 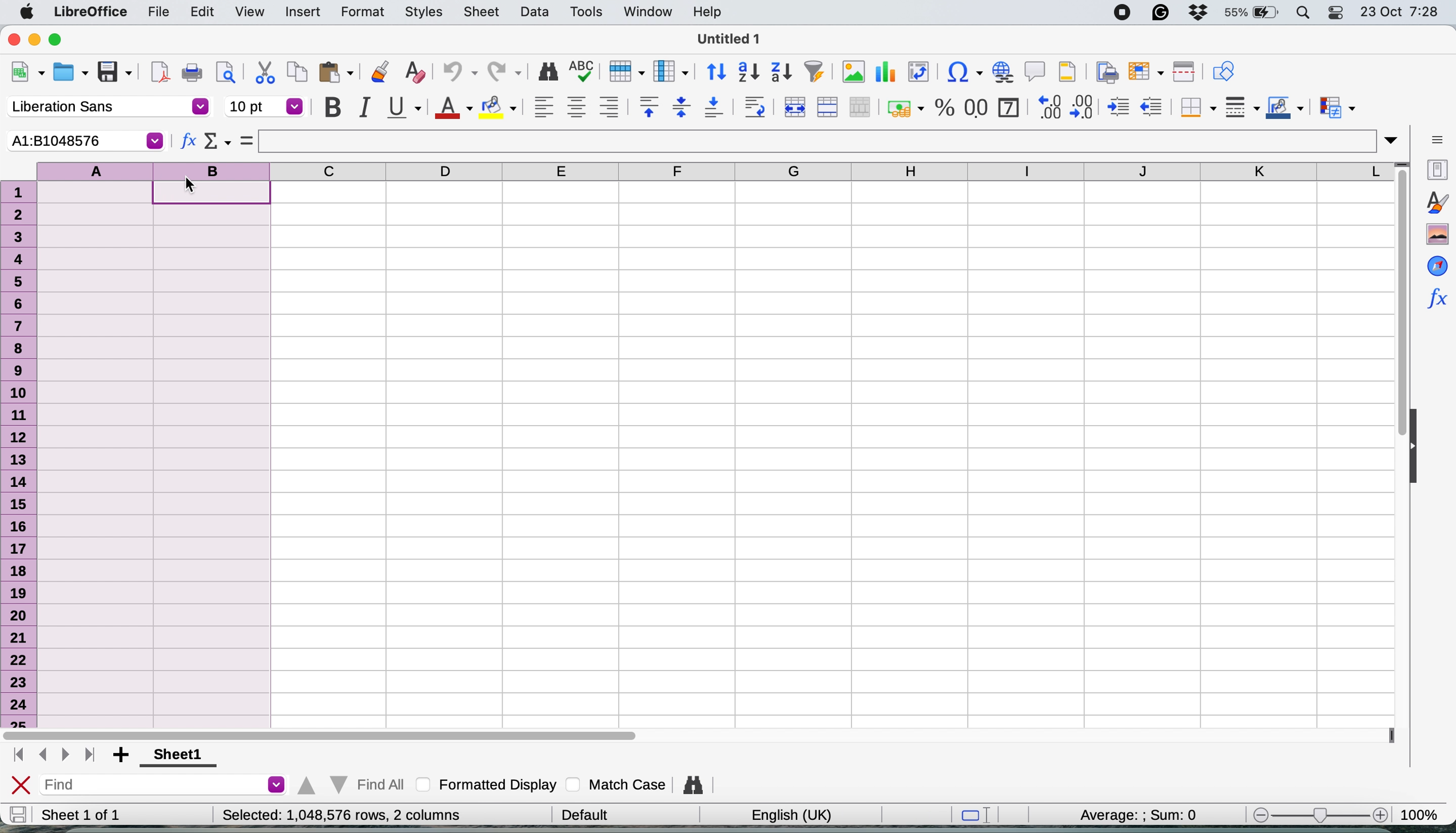 What do you see at coordinates (1405, 11) in the screenshot?
I see `date and time` at bounding box center [1405, 11].